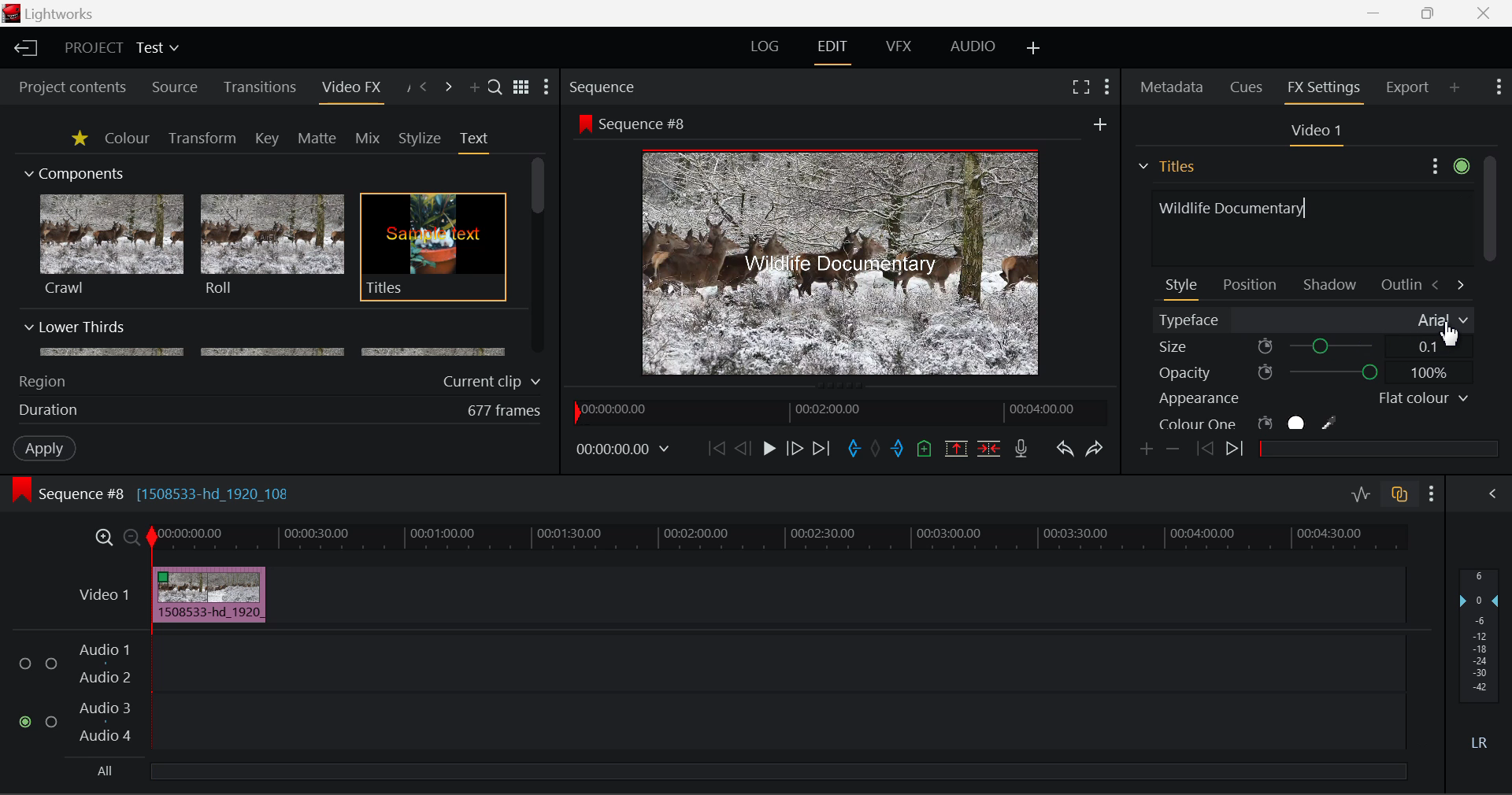 The height and width of the screenshot is (795, 1512). I want to click on Cues, so click(1248, 87).